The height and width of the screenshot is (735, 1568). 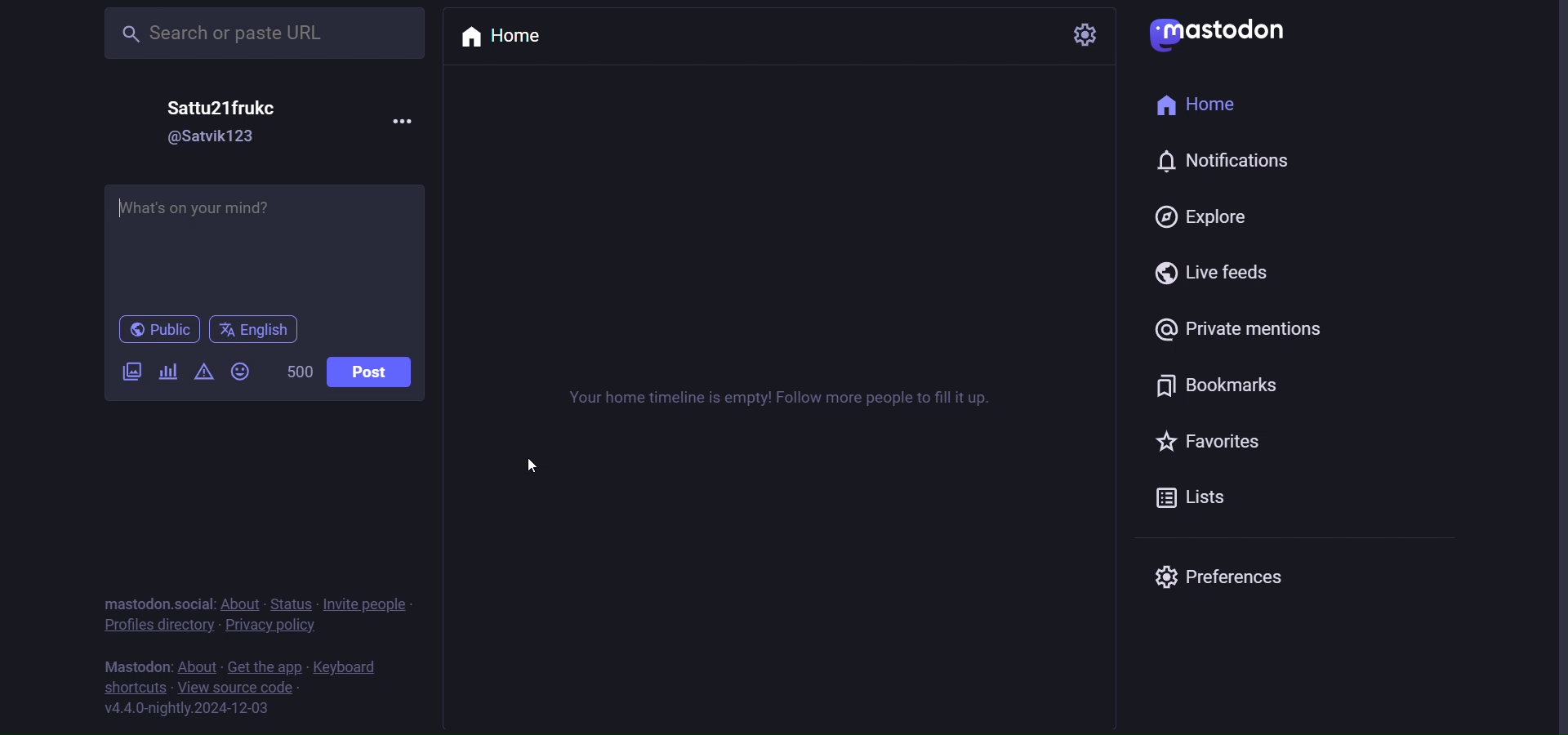 I want to click on live feed, so click(x=1206, y=275).